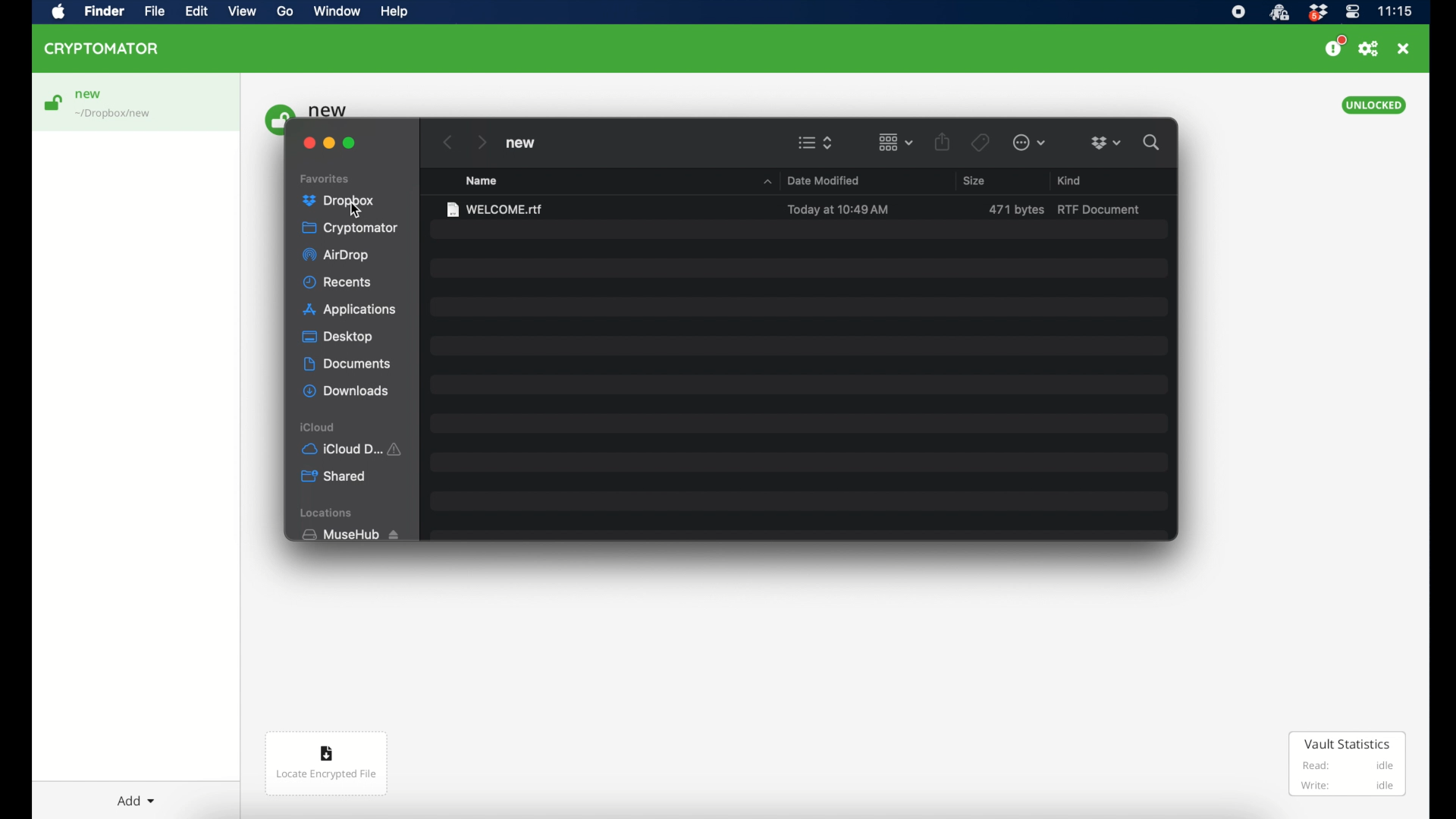 The width and height of the screenshot is (1456, 819). I want to click on desktop, so click(337, 337).